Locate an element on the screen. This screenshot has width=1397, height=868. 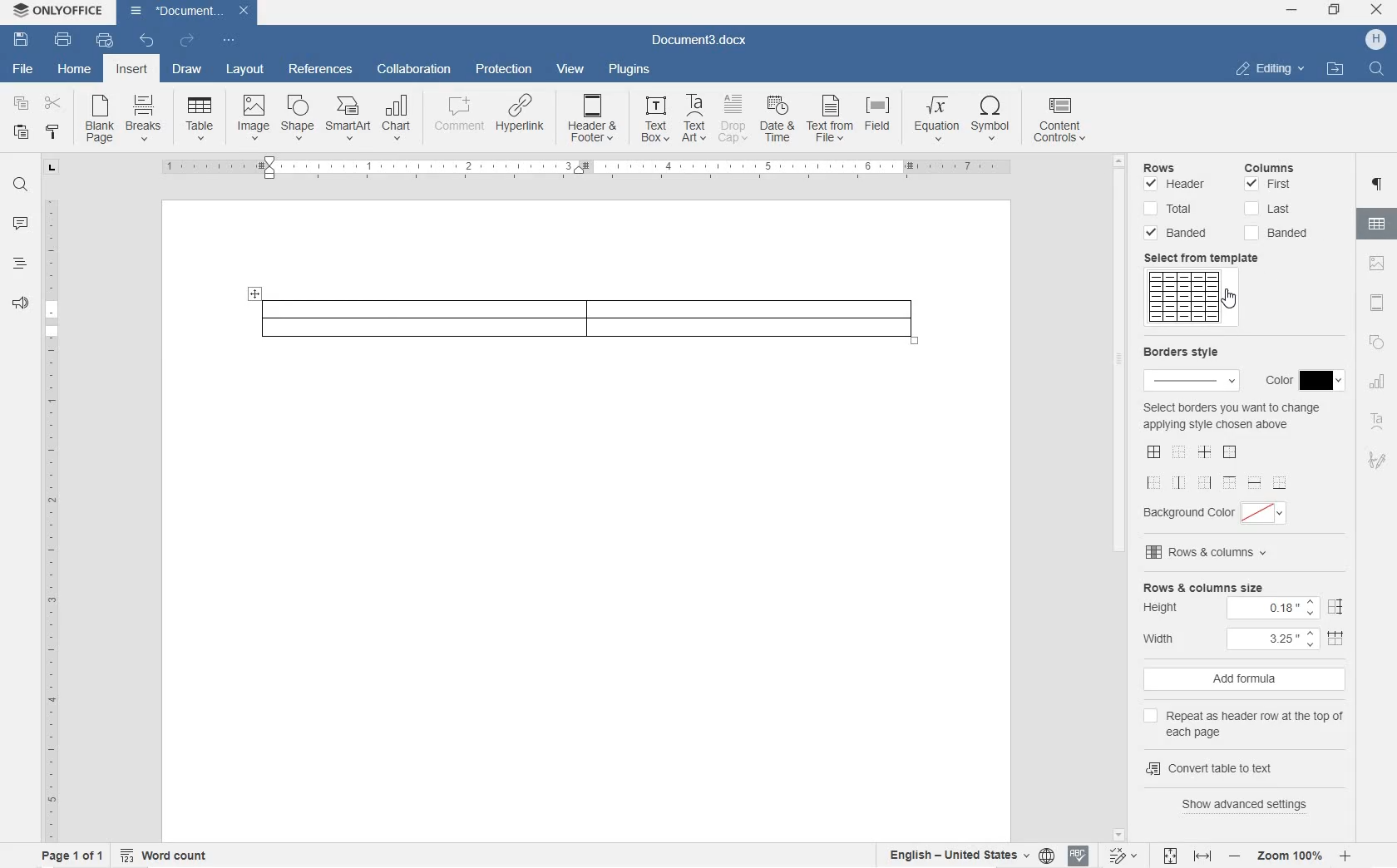
SmartArt is located at coordinates (347, 120).